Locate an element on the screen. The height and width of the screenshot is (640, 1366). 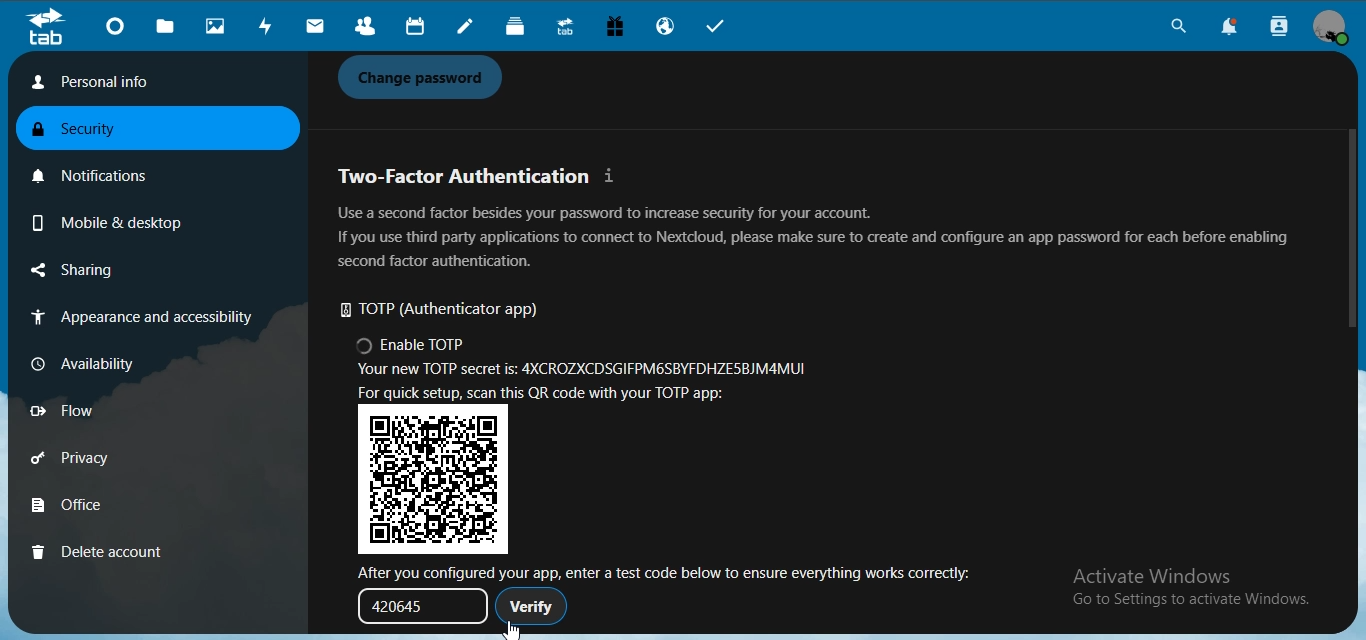
Activate Windows
Go to Settings to activate Windows. is located at coordinates (1194, 589).